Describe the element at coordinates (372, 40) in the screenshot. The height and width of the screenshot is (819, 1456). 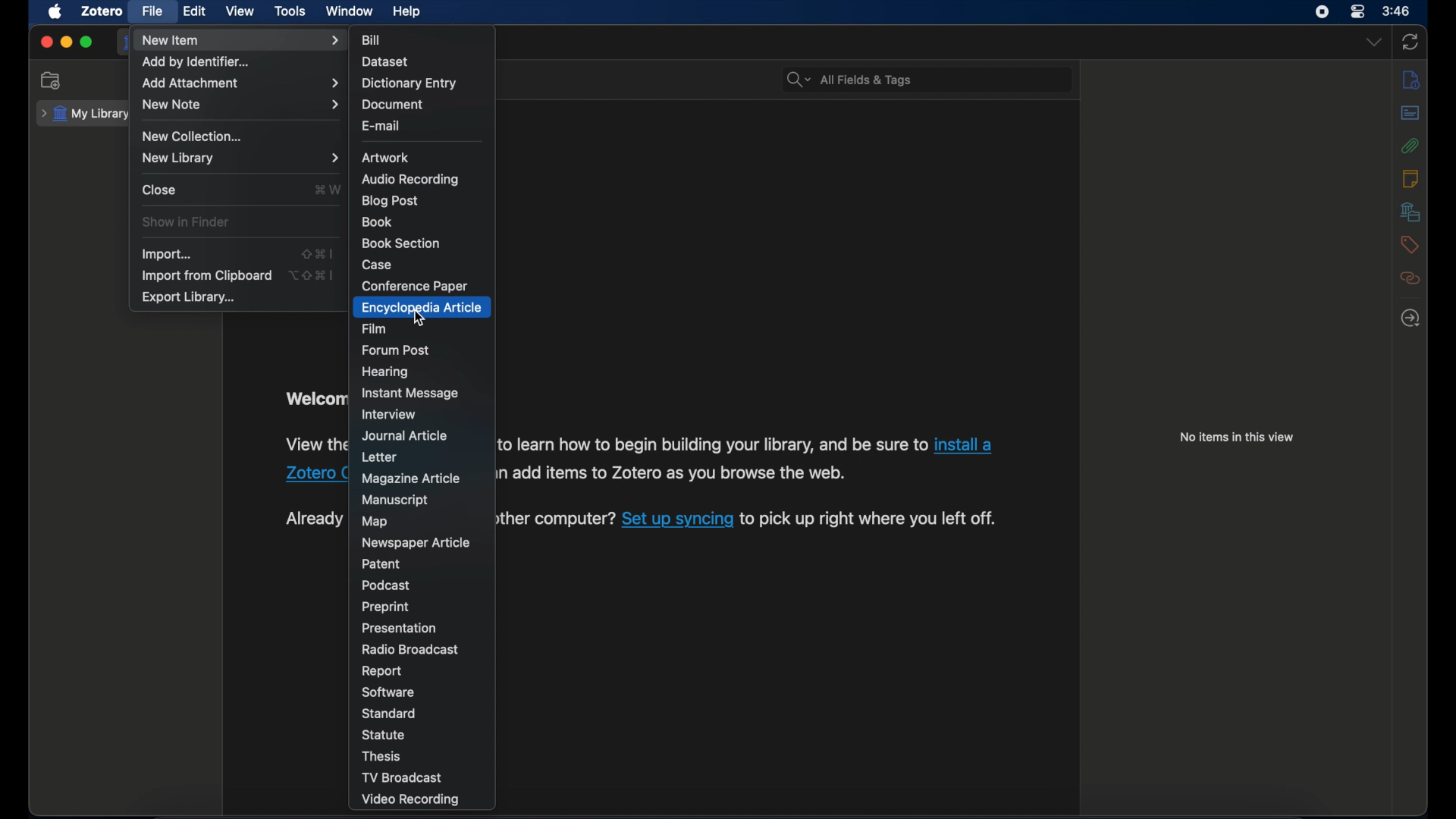
I see `bill` at that location.